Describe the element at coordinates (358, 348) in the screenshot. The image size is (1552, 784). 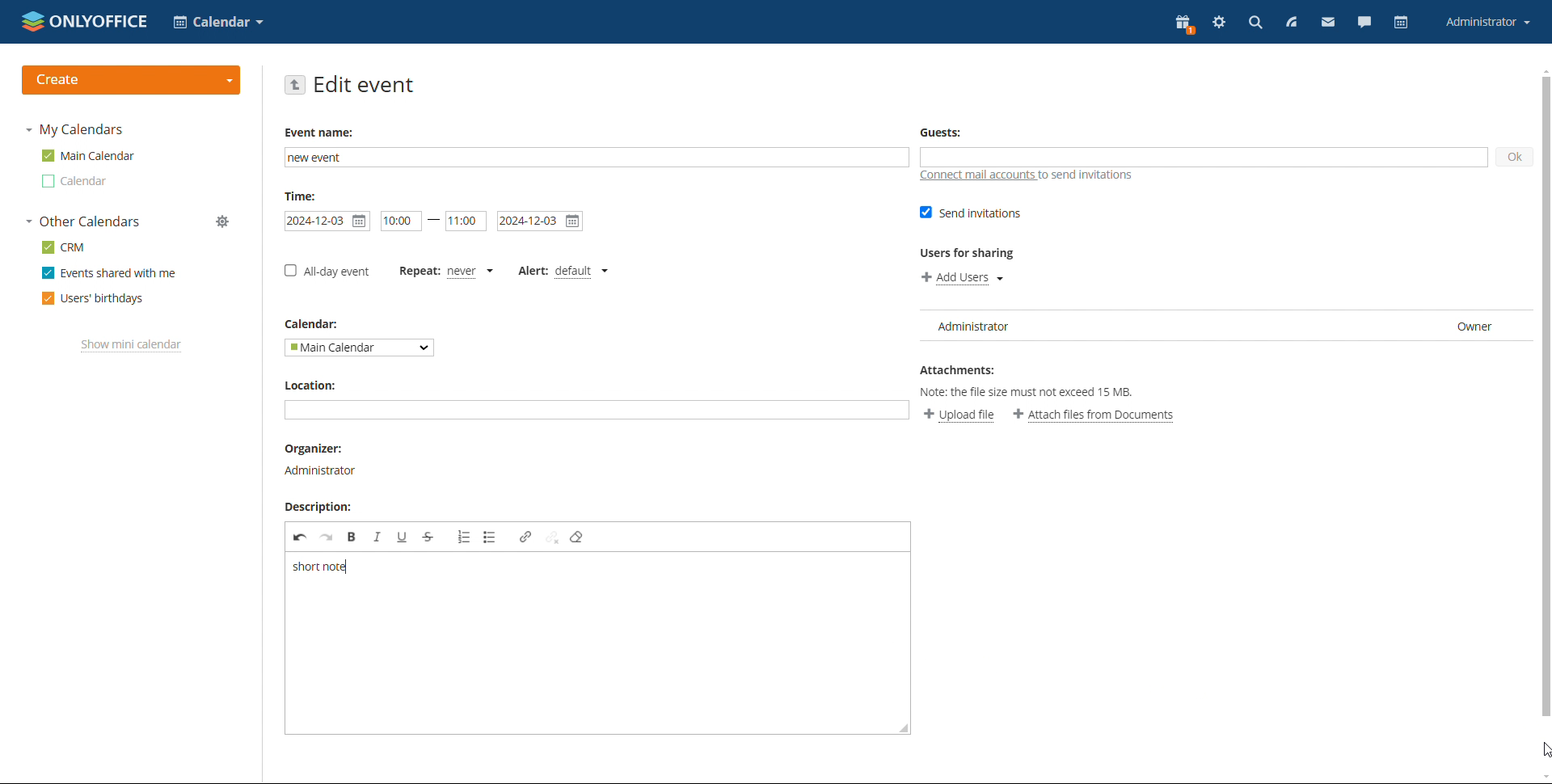
I see `select calendar` at that location.